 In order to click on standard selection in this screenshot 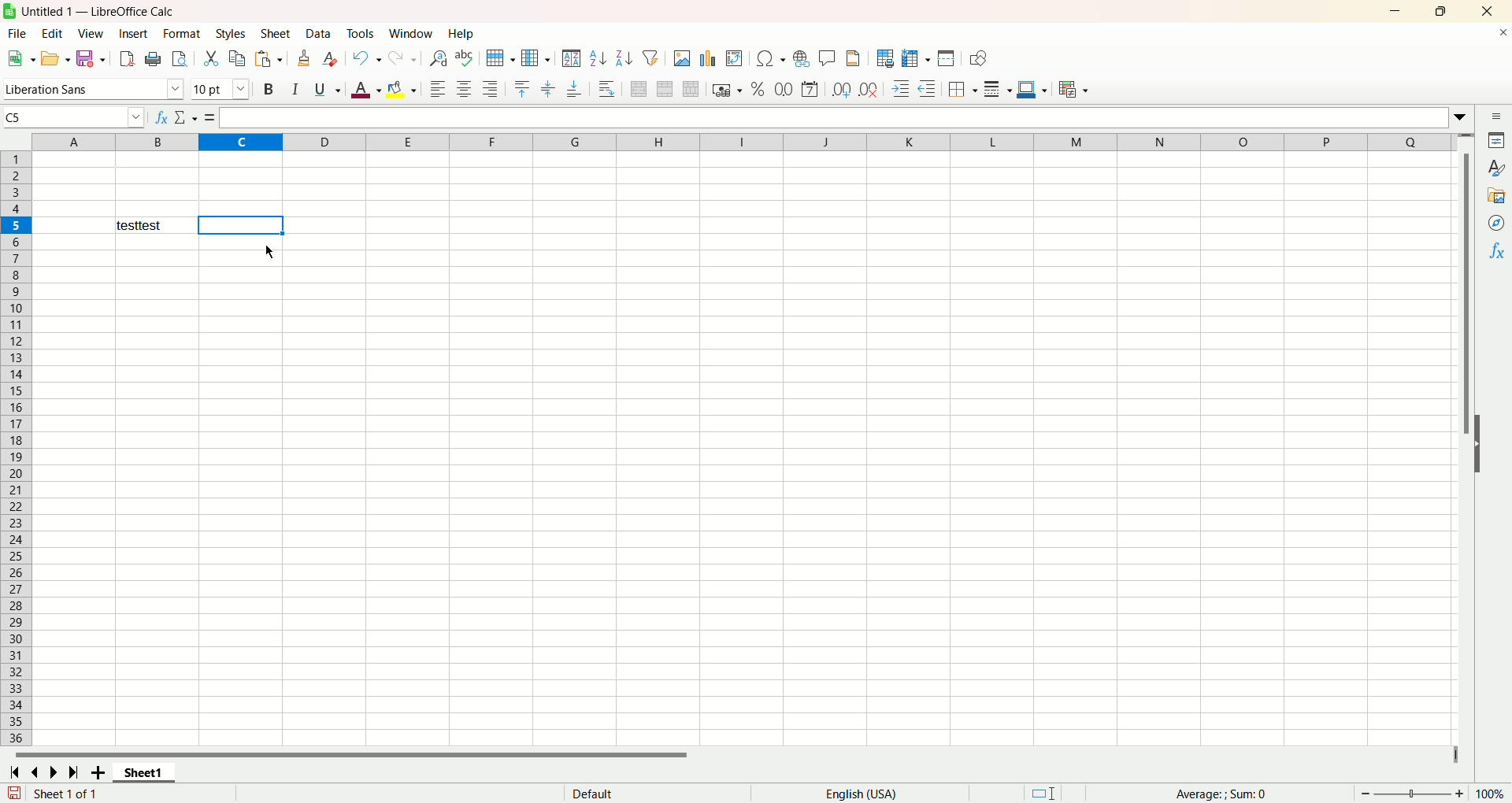, I will do `click(1045, 794)`.